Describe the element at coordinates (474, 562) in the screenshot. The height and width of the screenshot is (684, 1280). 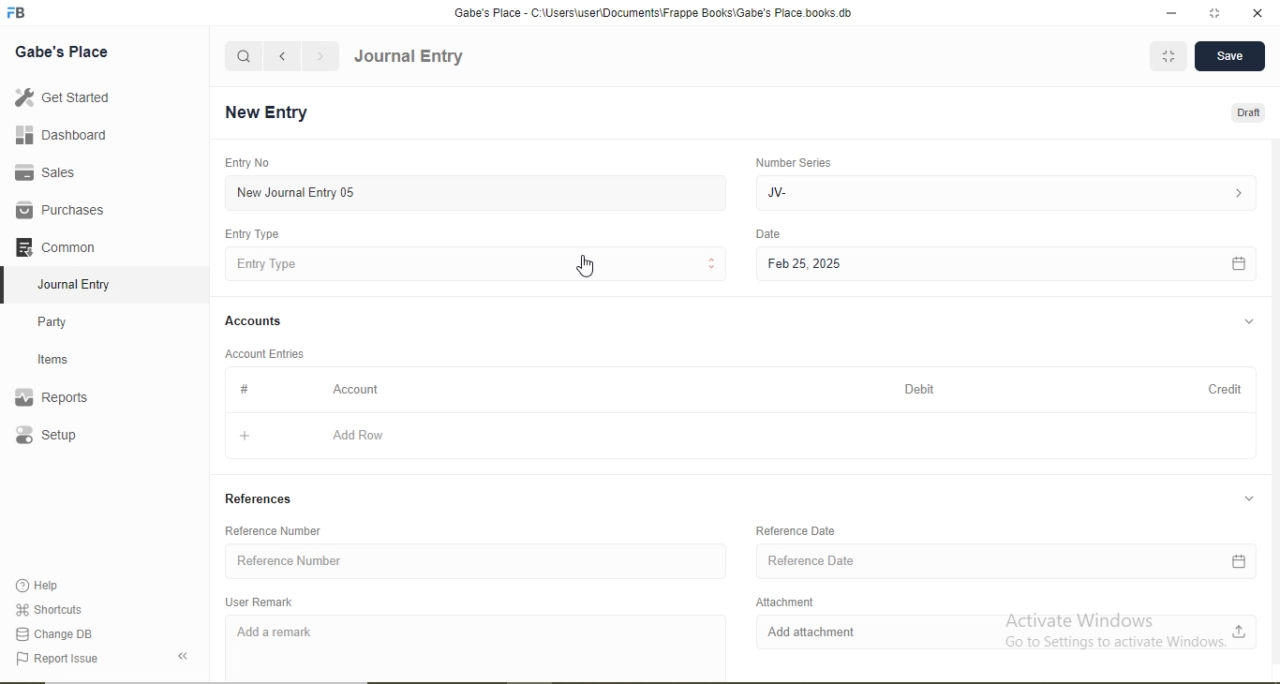
I see `Reference Number` at that location.